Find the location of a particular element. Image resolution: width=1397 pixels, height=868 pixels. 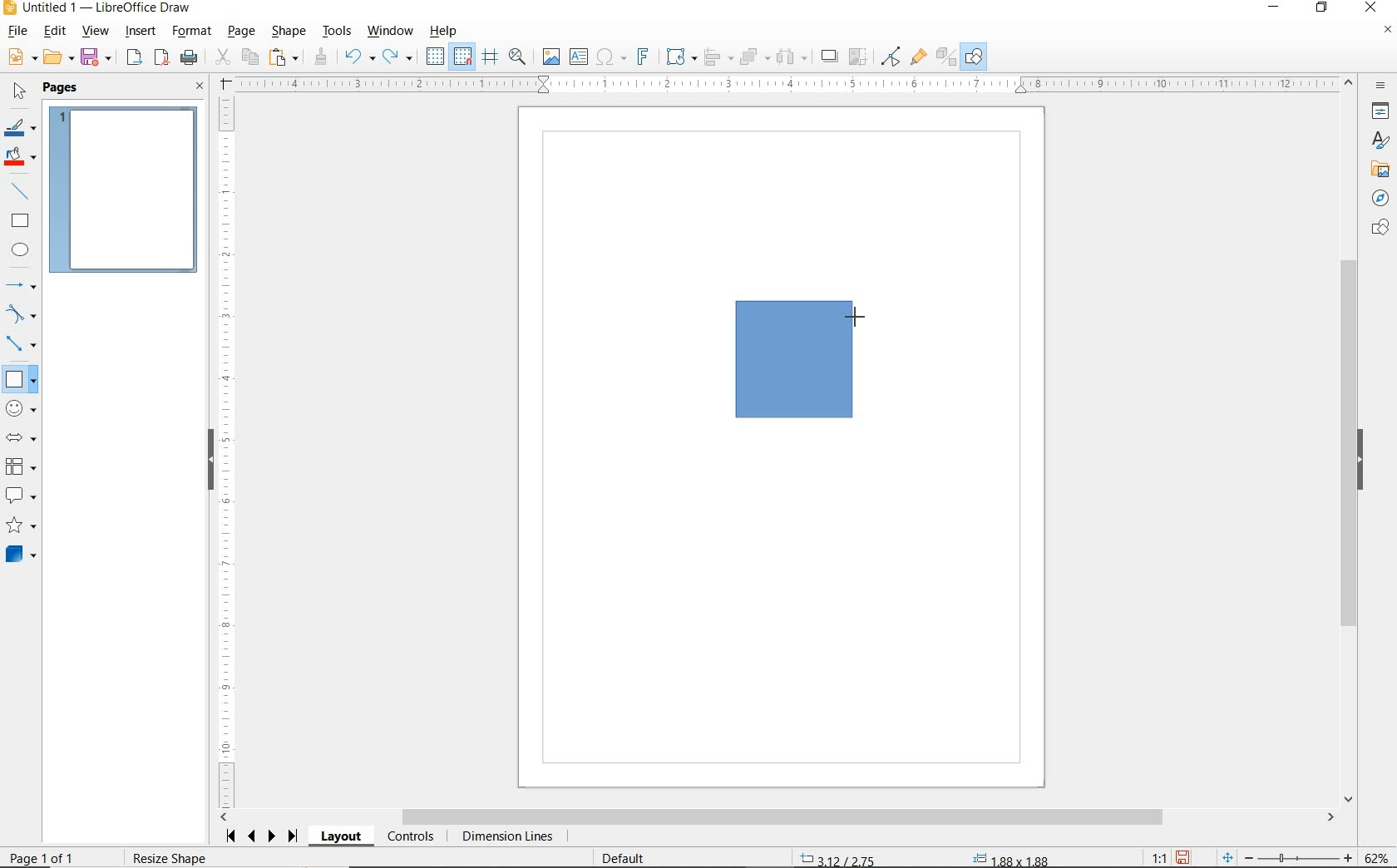

DEFAULT is located at coordinates (629, 859).